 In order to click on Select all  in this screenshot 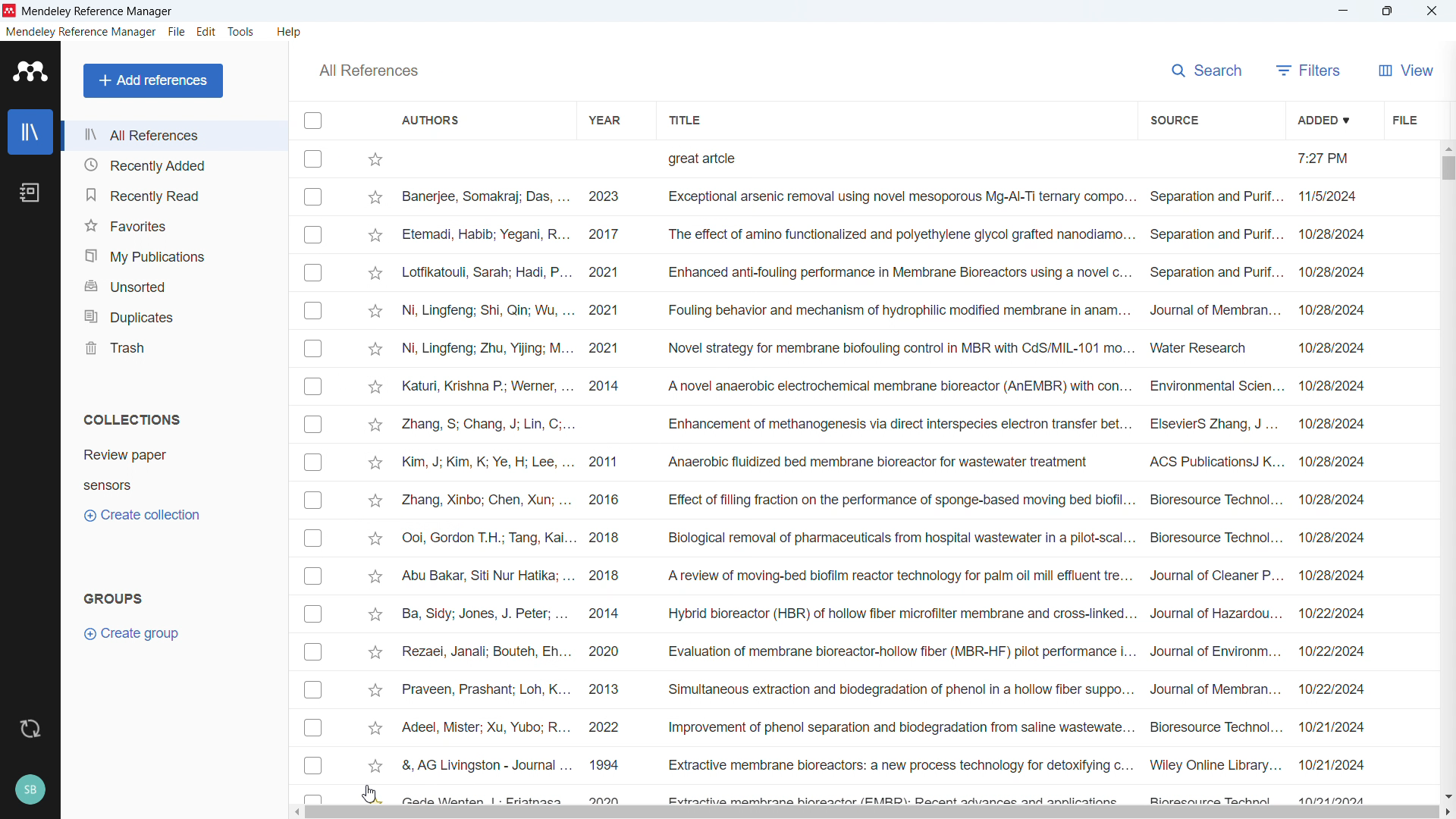, I will do `click(312, 120)`.